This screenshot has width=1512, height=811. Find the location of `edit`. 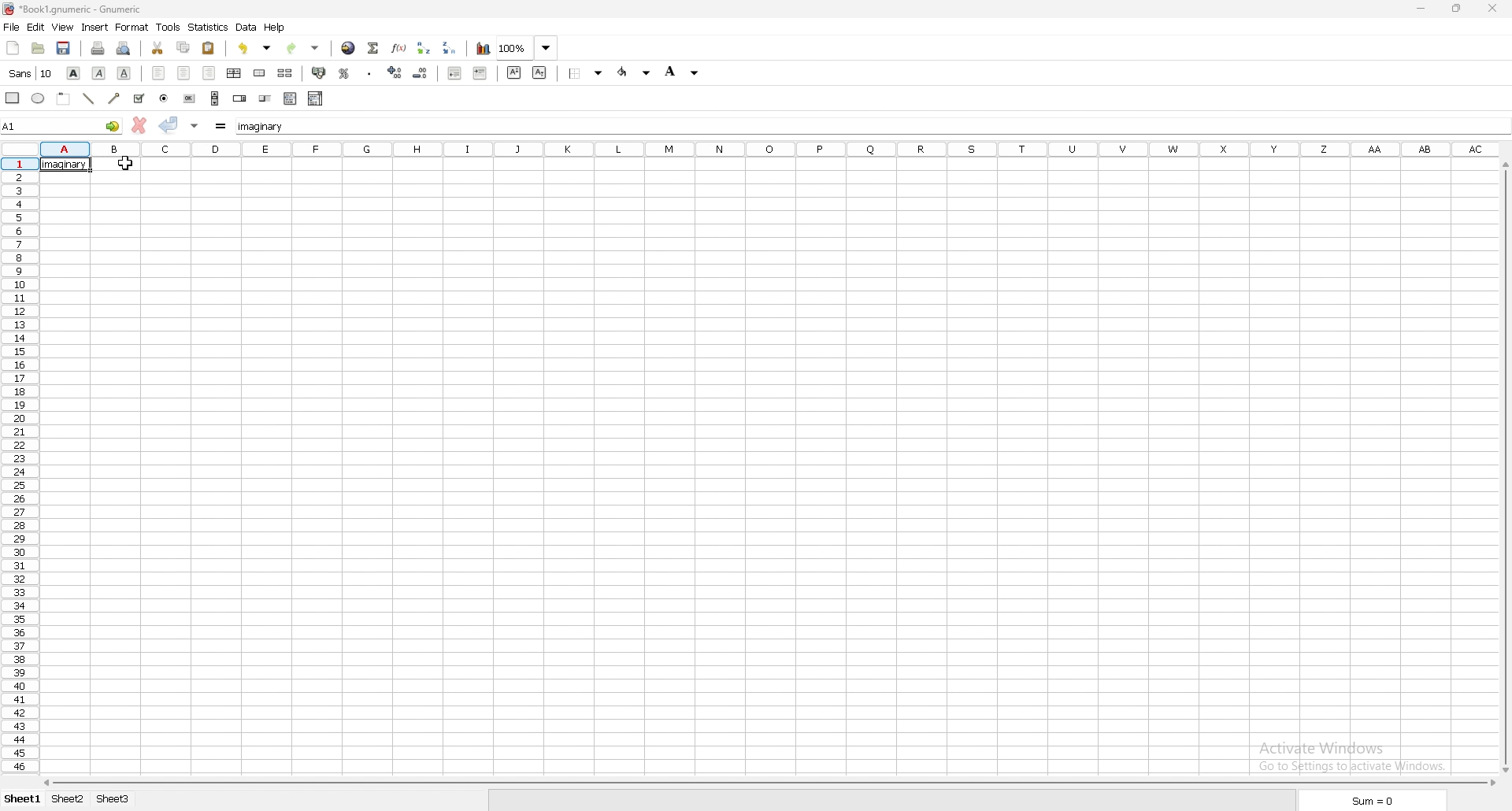

edit is located at coordinates (35, 27).